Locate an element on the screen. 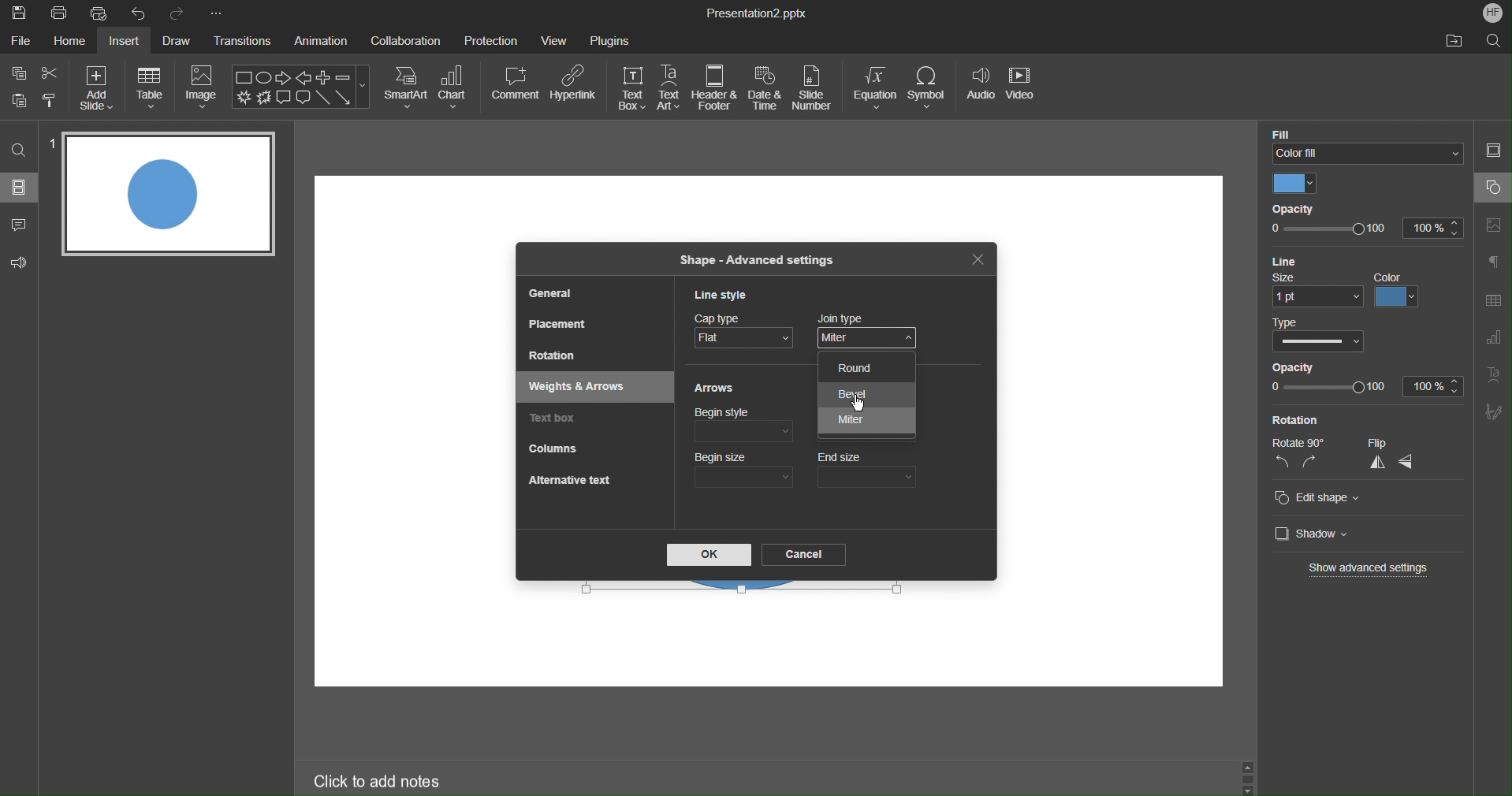 This screenshot has width=1512, height=796. Signature is located at coordinates (1494, 413).